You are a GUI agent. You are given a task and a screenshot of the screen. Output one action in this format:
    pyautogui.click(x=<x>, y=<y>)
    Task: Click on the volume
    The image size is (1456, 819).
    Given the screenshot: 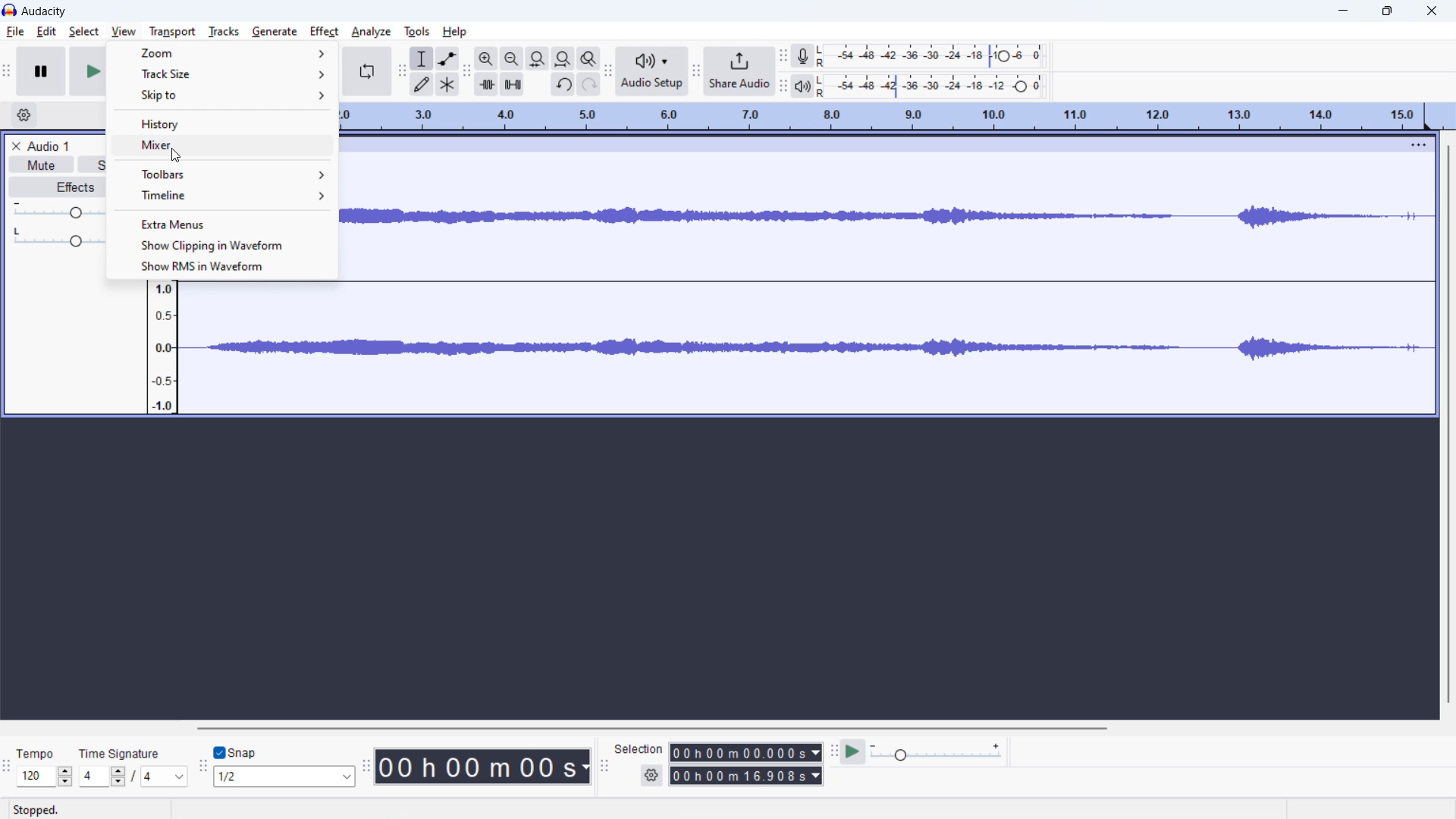 What is the action you would take?
    pyautogui.click(x=58, y=210)
    